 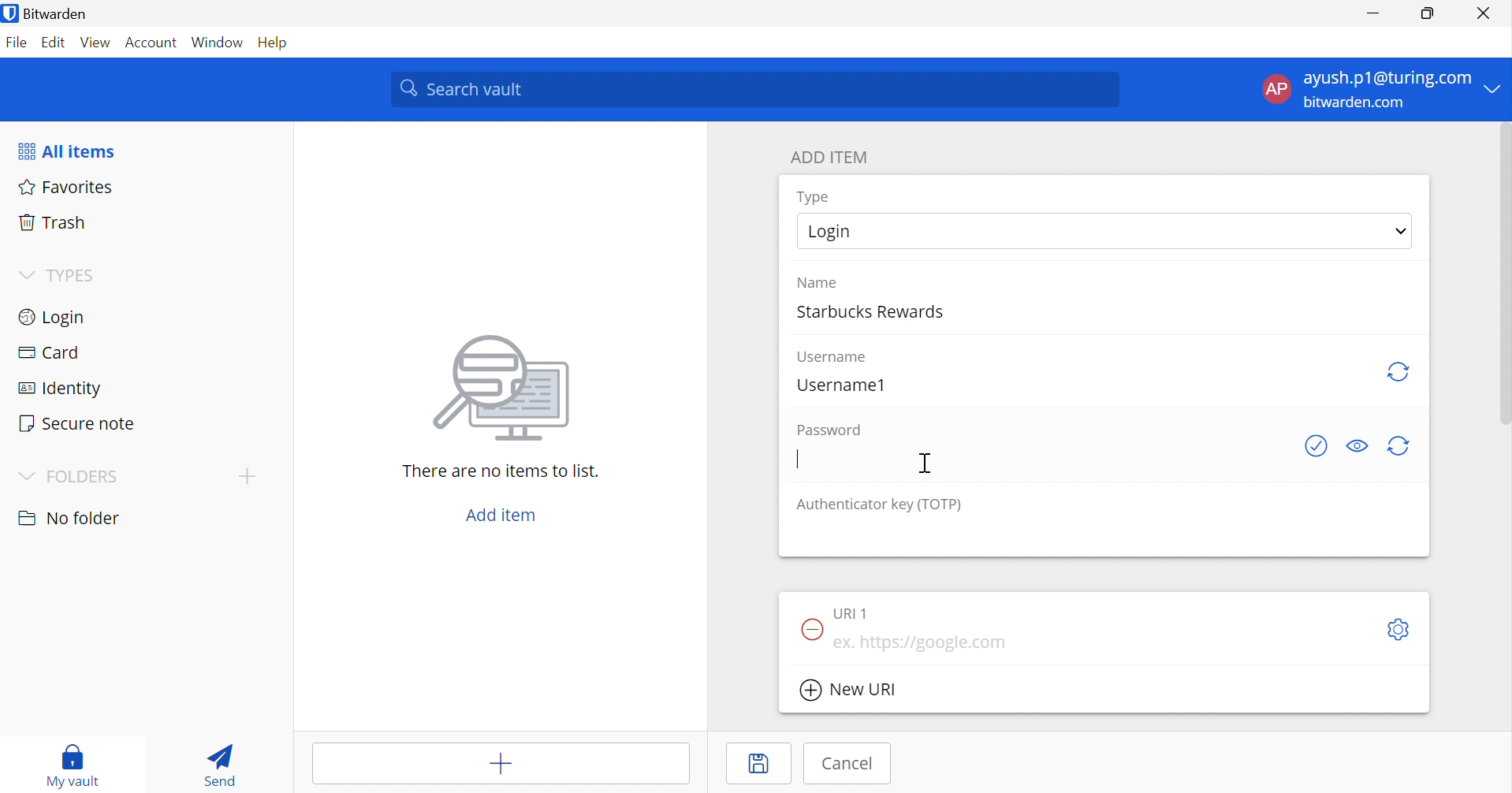 What do you see at coordinates (1319, 446) in the screenshot?
I see `Check if password has been exposed` at bounding box center [1319, 446].